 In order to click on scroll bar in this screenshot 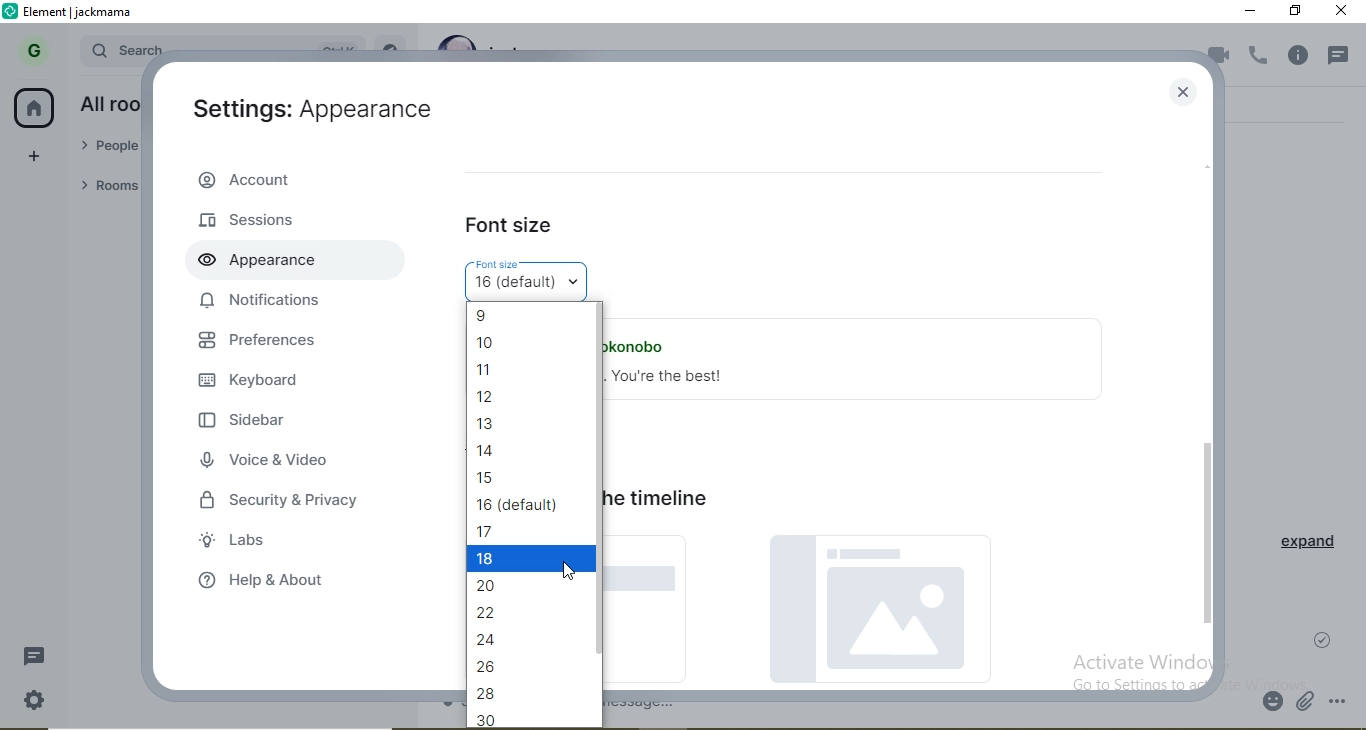, I will do `click(596, 483)`.